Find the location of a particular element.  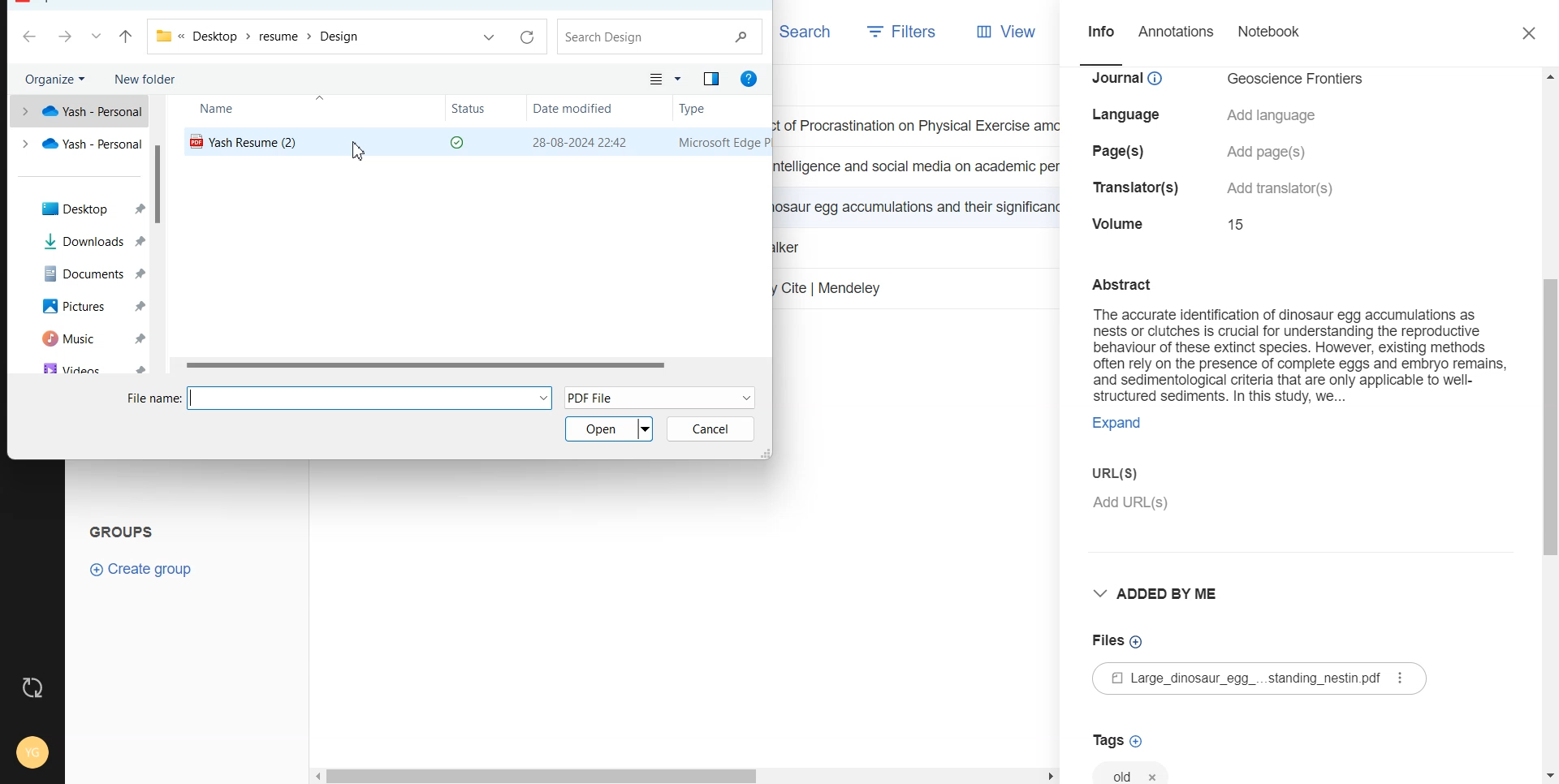

cursor is located at coordinates (359, 153).